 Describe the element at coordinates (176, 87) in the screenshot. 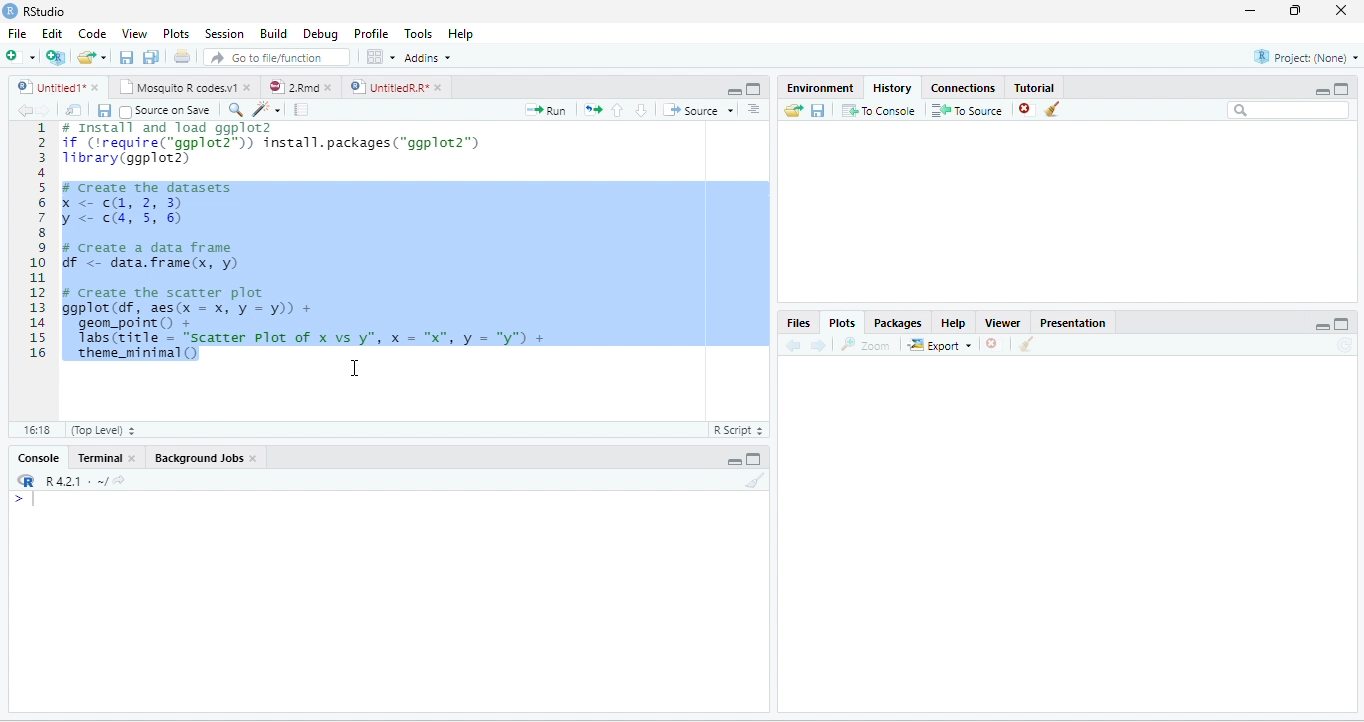

I see `Mosquito R codes.v1` at that location.